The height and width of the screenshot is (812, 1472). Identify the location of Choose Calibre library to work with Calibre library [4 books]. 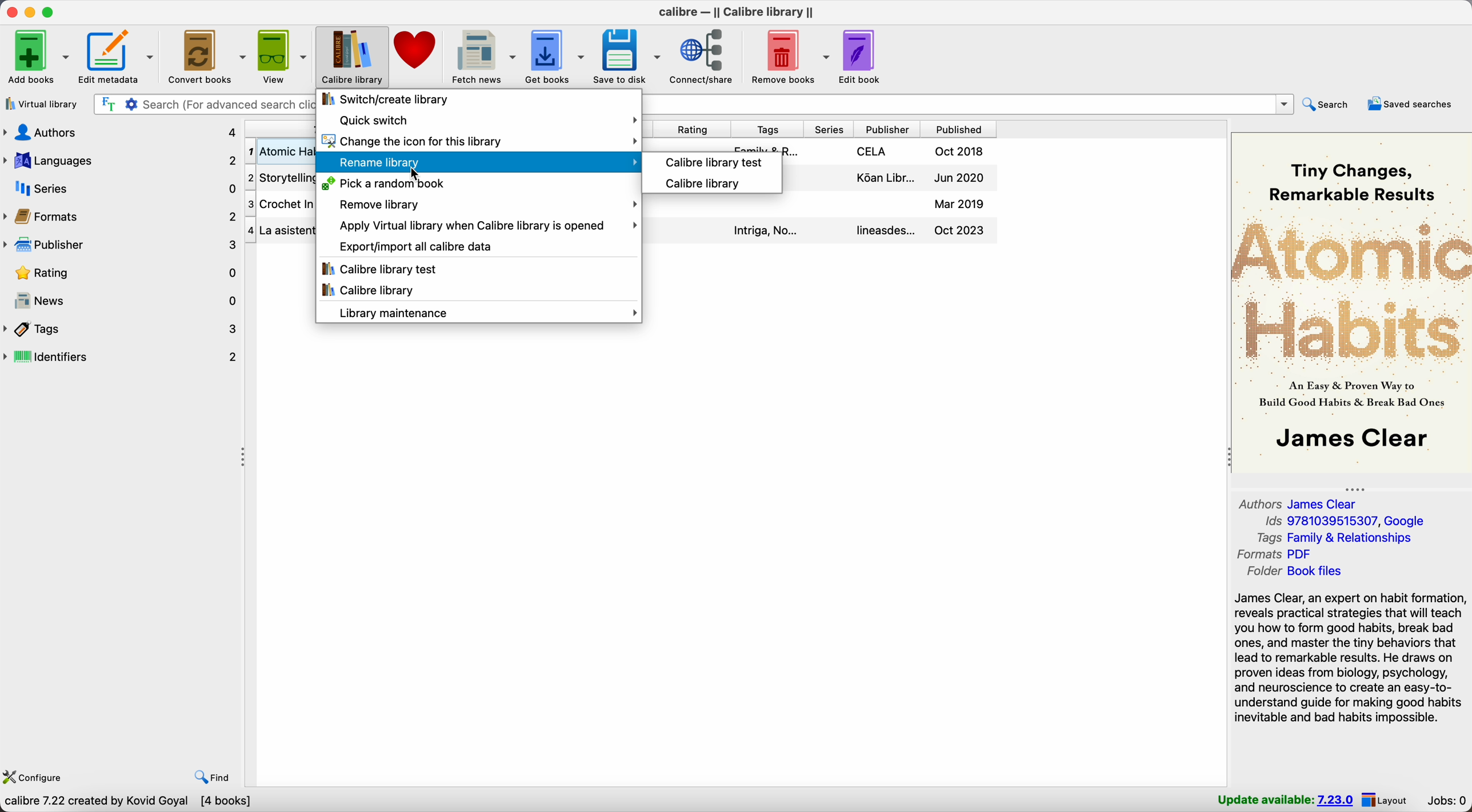
(167, 802).